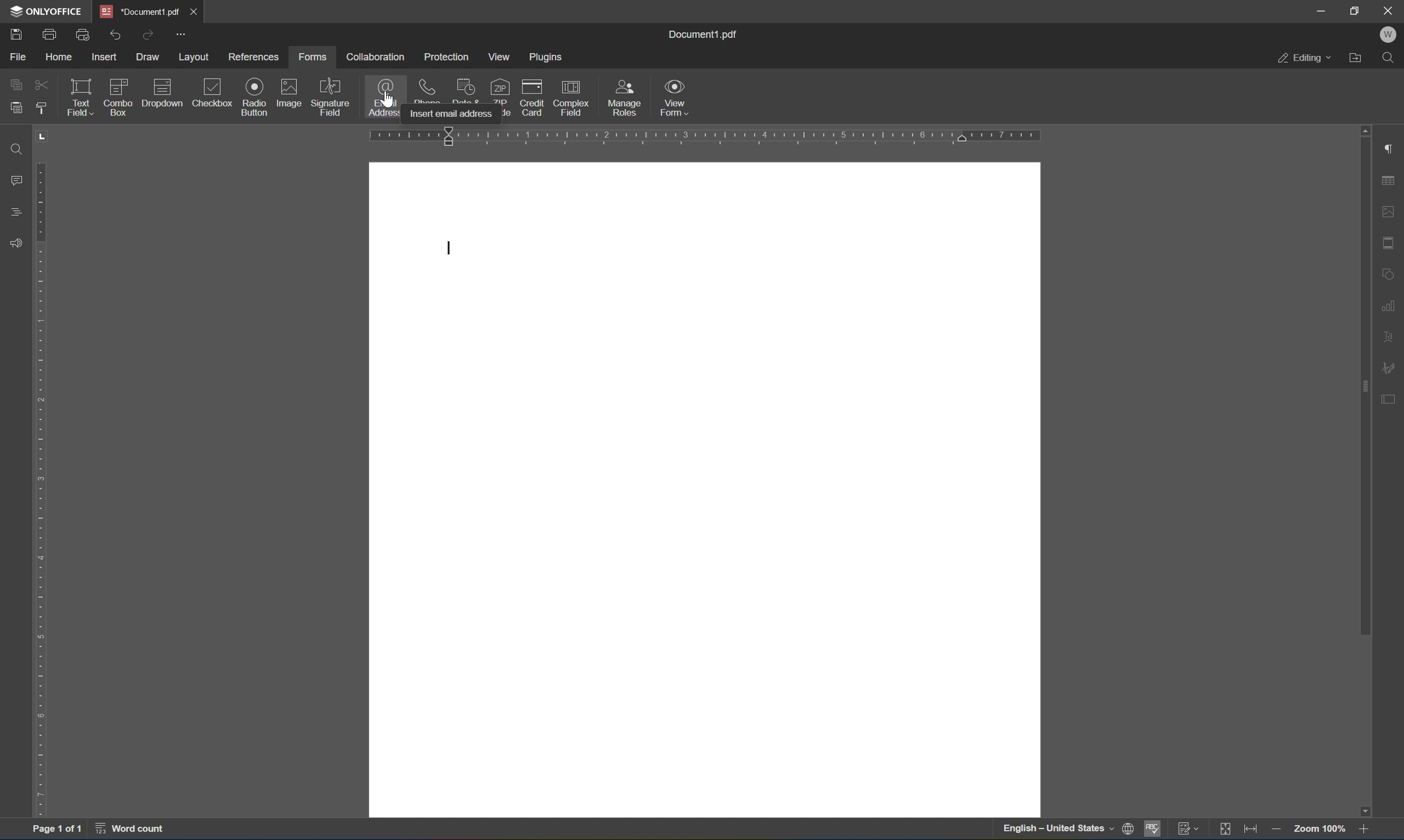 The height and width of the screenshot is (840, 1404). Describe the element at coordinates (118, 96) in the screenshot. I see `combo box` at that location.